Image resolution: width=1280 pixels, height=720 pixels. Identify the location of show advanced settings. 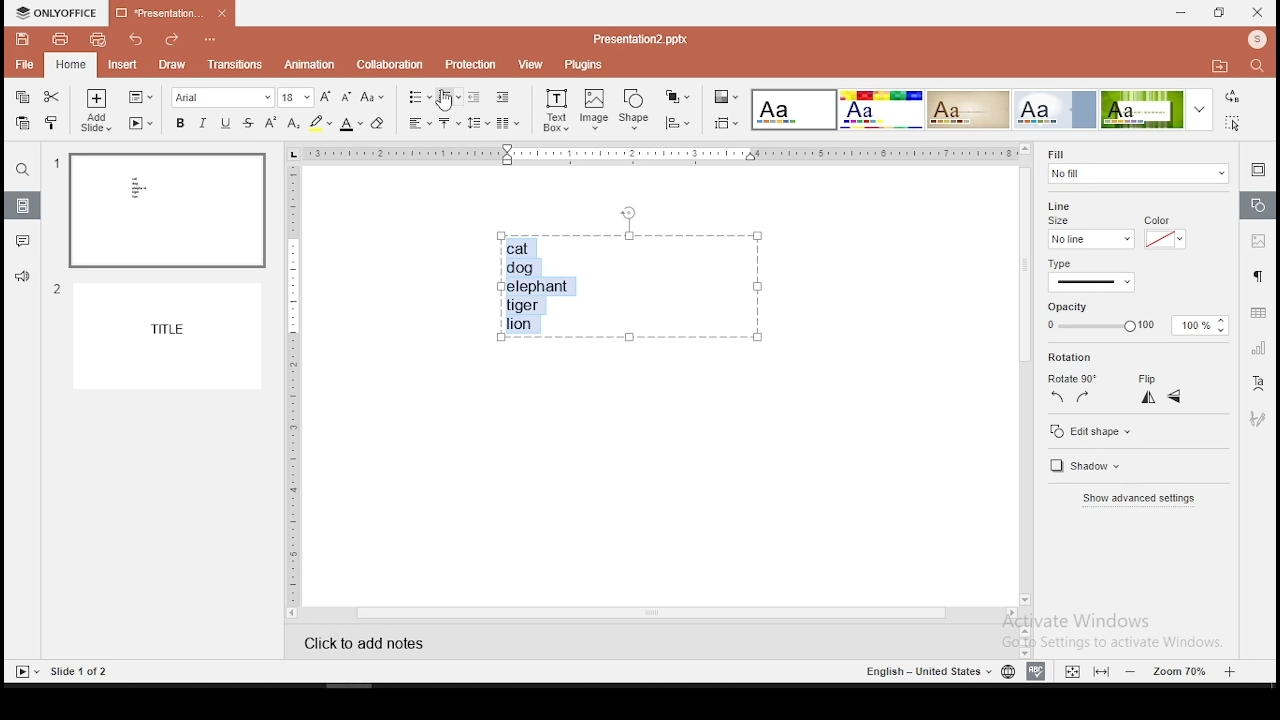
(1136, 499).